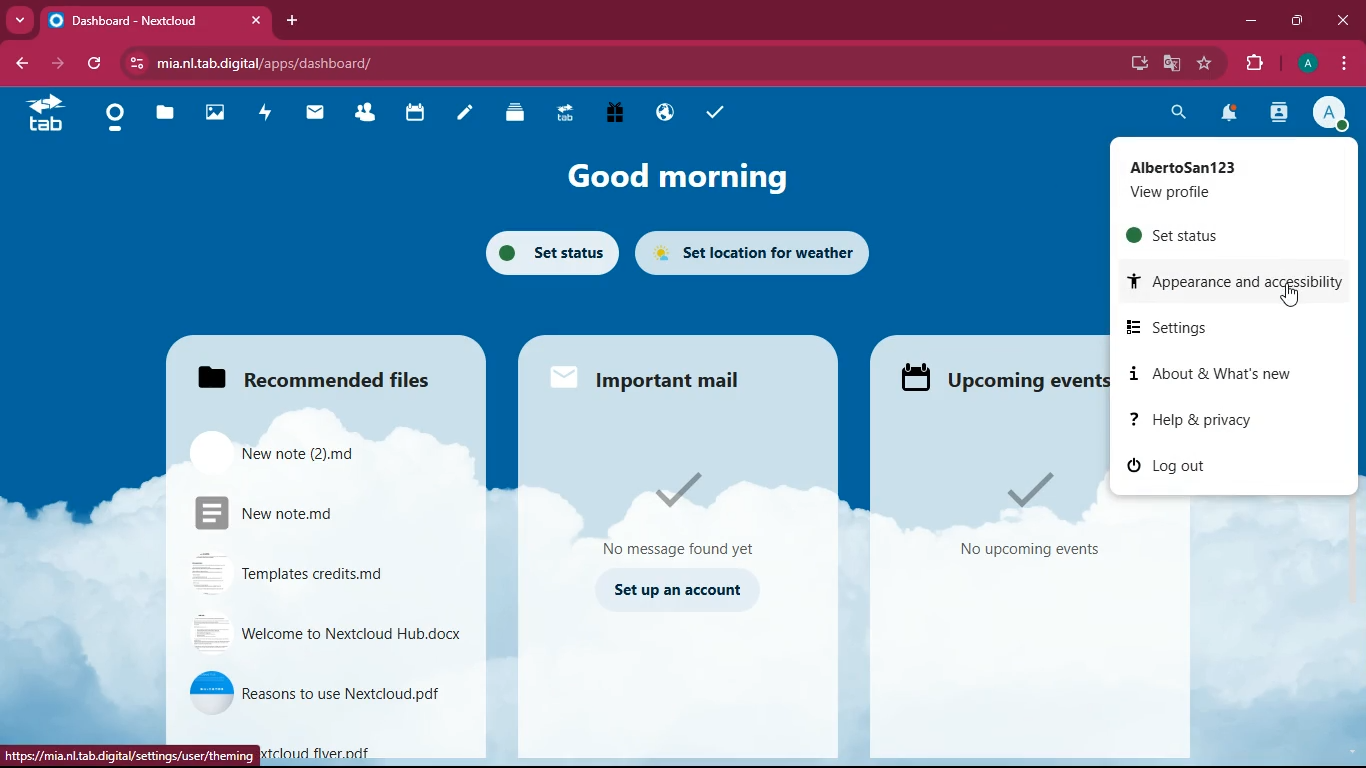 Image resolution: width=1366 pixels, height=768 pixels. What do you see at coordinates (285, 451) in the screenshot?
I see `file` at bounding box center [285, 451].